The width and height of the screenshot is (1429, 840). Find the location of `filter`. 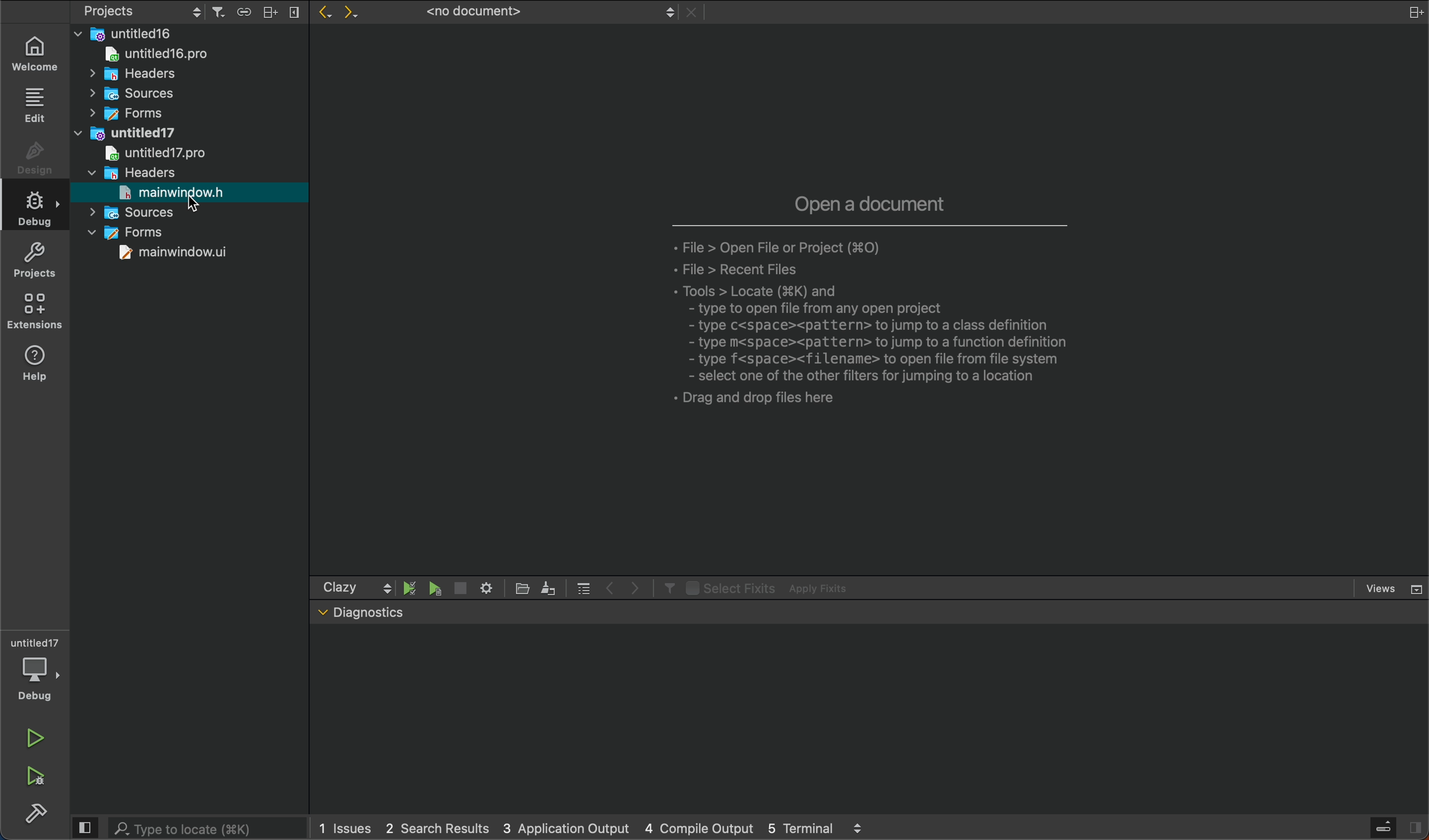

filter is located at coordinates (218, 12).